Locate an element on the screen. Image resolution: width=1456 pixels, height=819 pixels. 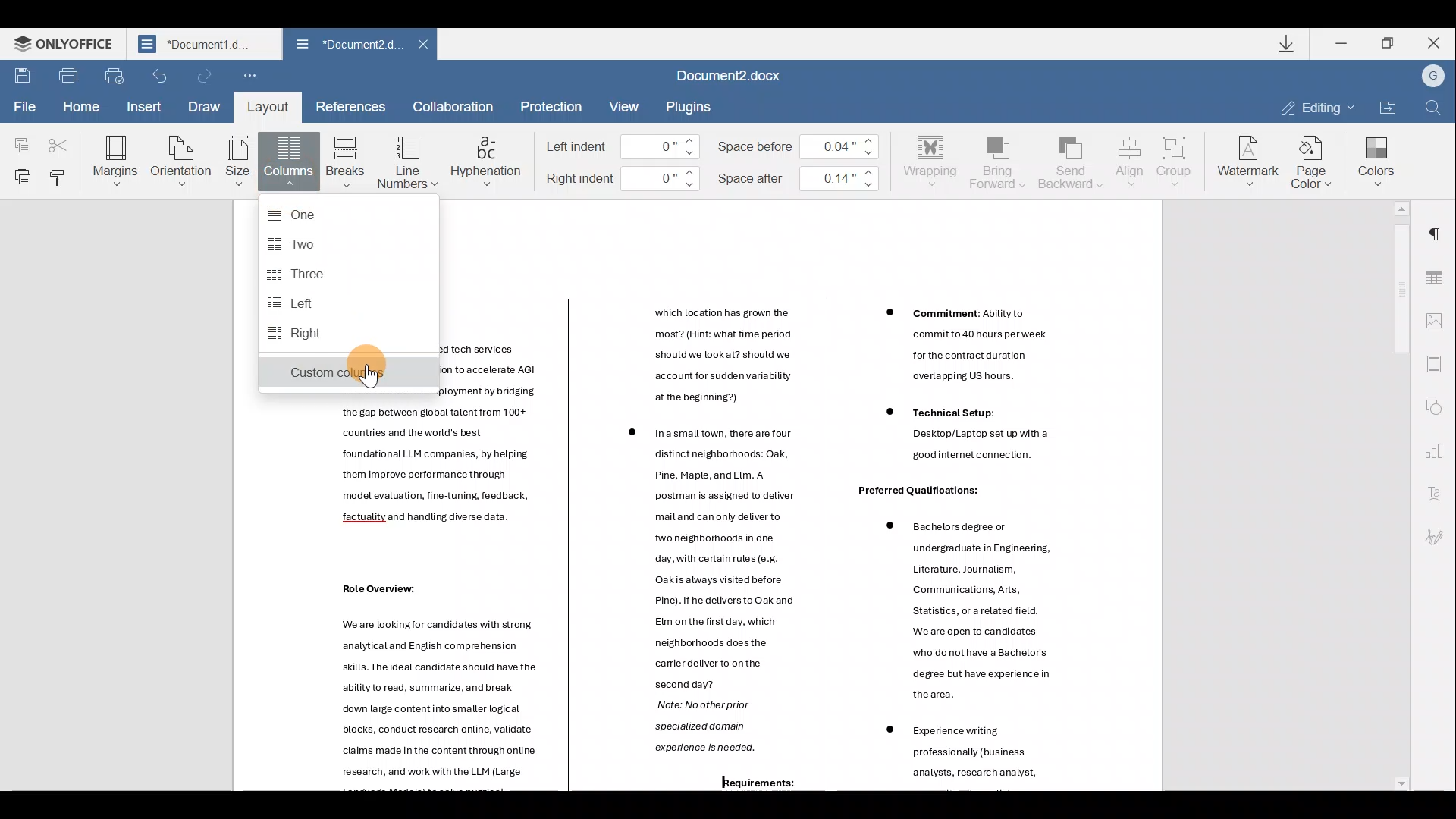
Signature settings is located at coordinates (1441, 536).